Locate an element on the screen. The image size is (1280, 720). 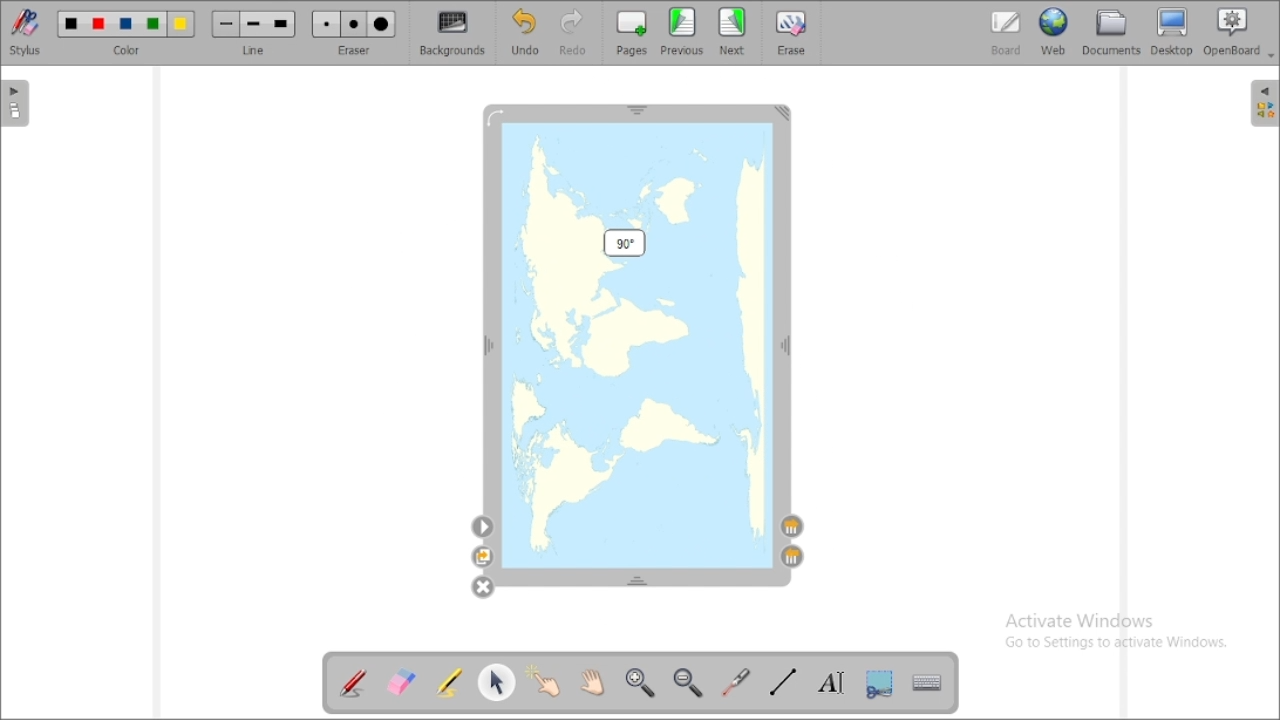
documents is located at coordinates (1111, 33).